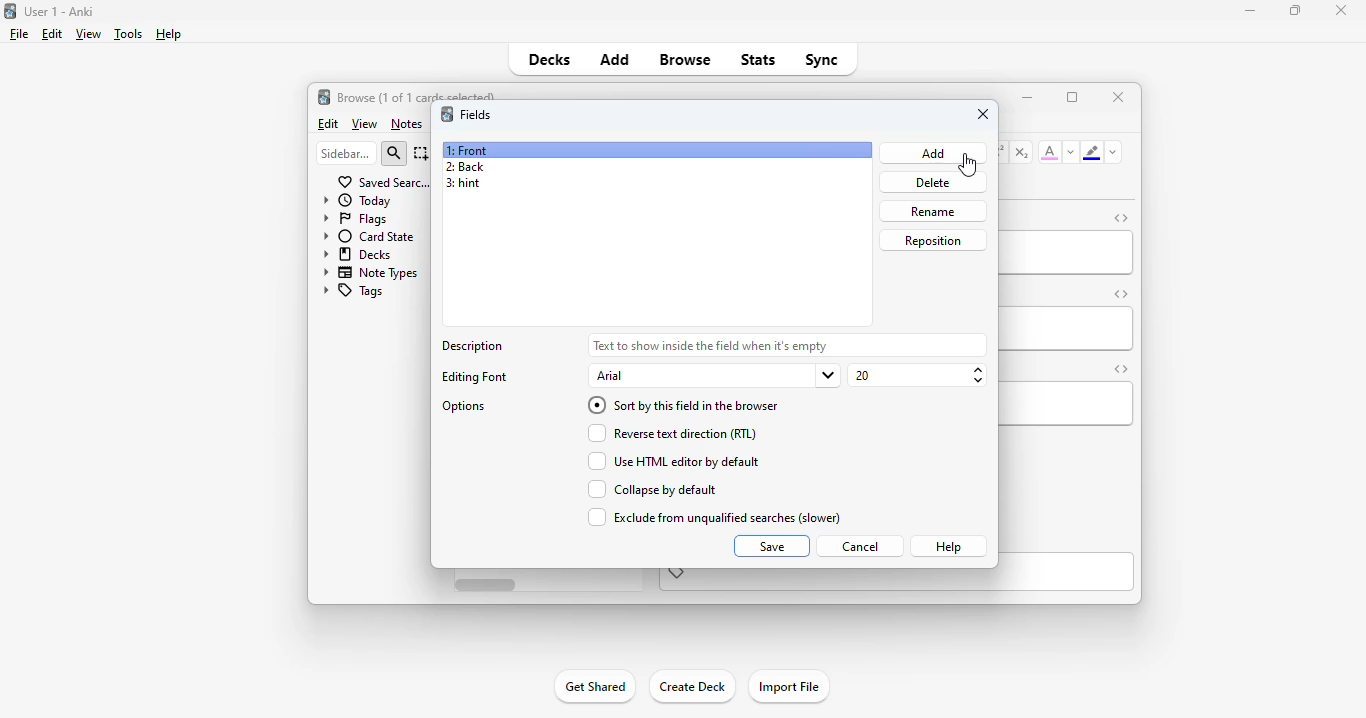 This screenshot has width=1366, height=718. What do you see at coordinates (384, 181) in the screenshot?
I see `saved searches` at bounding box center [384, 181].